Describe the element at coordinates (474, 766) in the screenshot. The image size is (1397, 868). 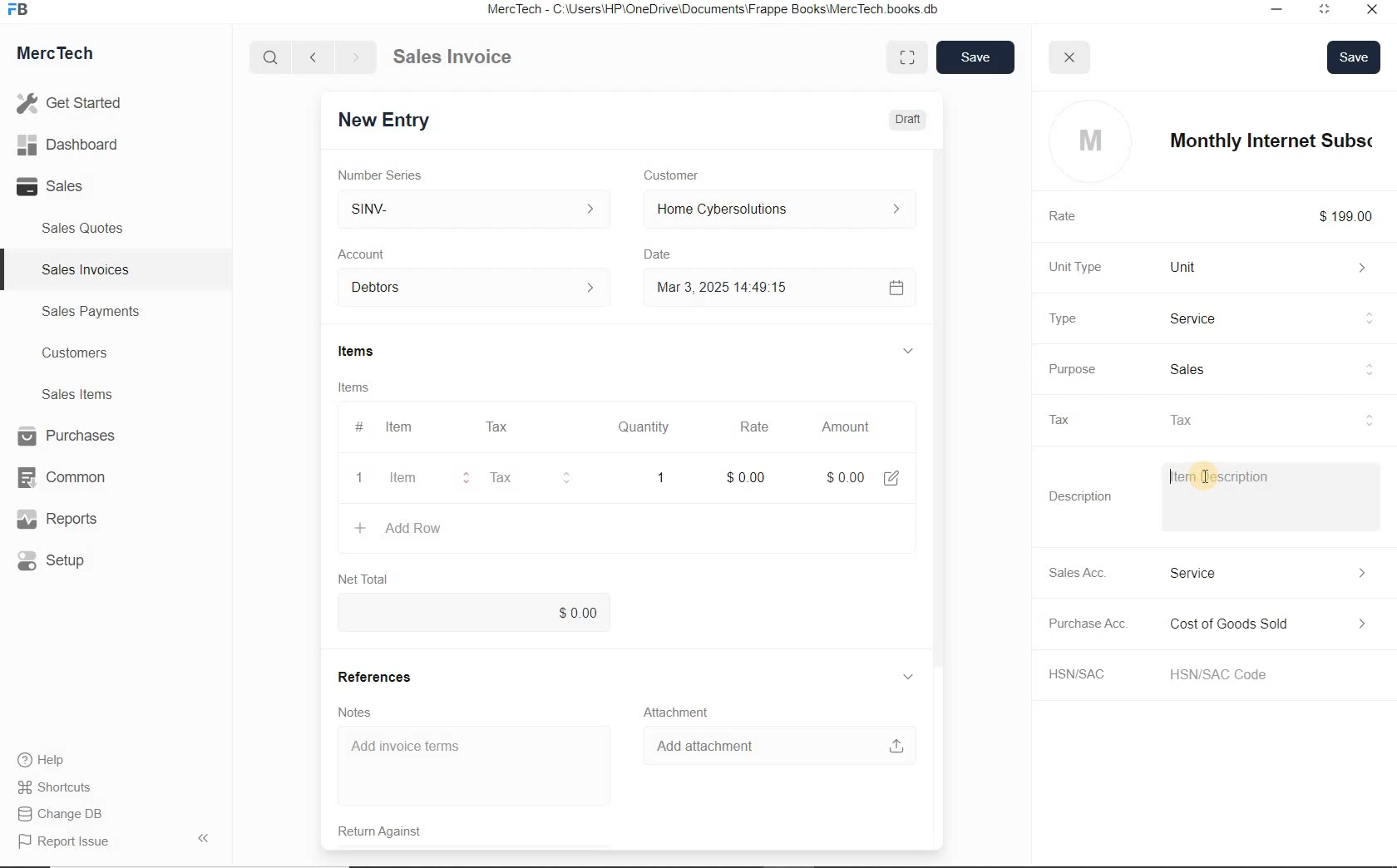
I see `Add invoice terms` at that location.